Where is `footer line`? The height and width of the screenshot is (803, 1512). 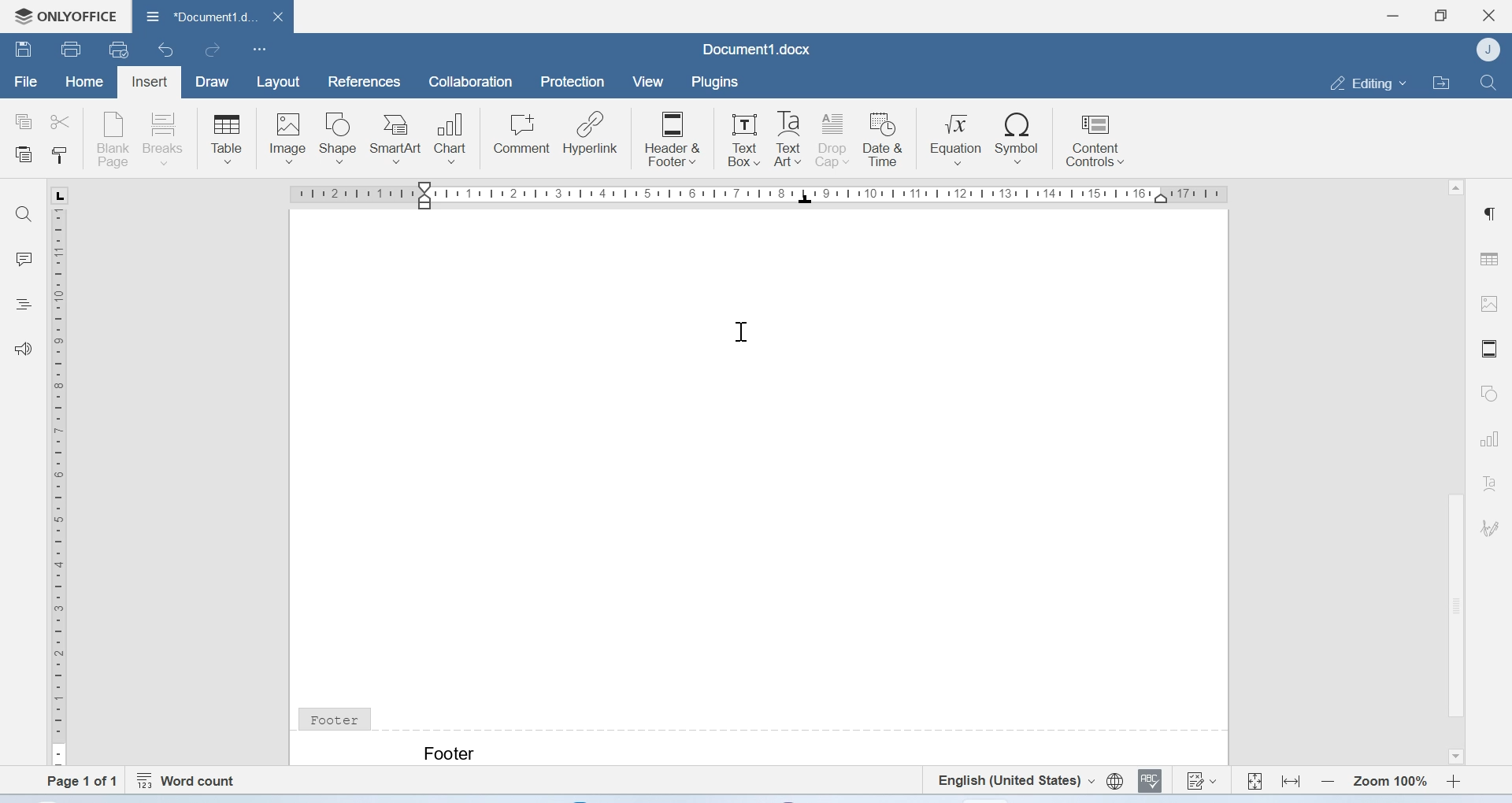 footer line is located at coordinates (812, 726).